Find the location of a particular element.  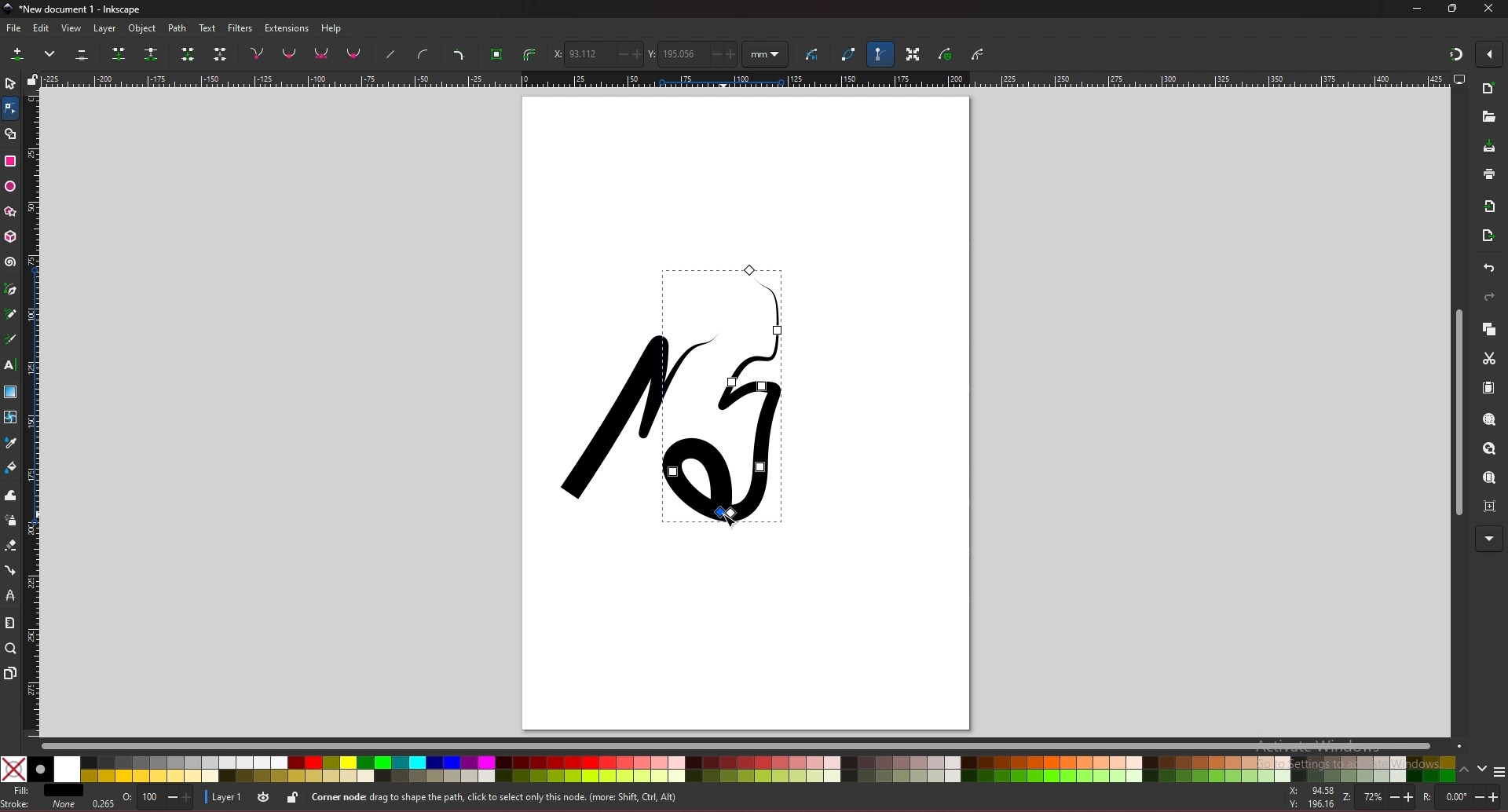

y coordinate is located at coordinates (693, 54).